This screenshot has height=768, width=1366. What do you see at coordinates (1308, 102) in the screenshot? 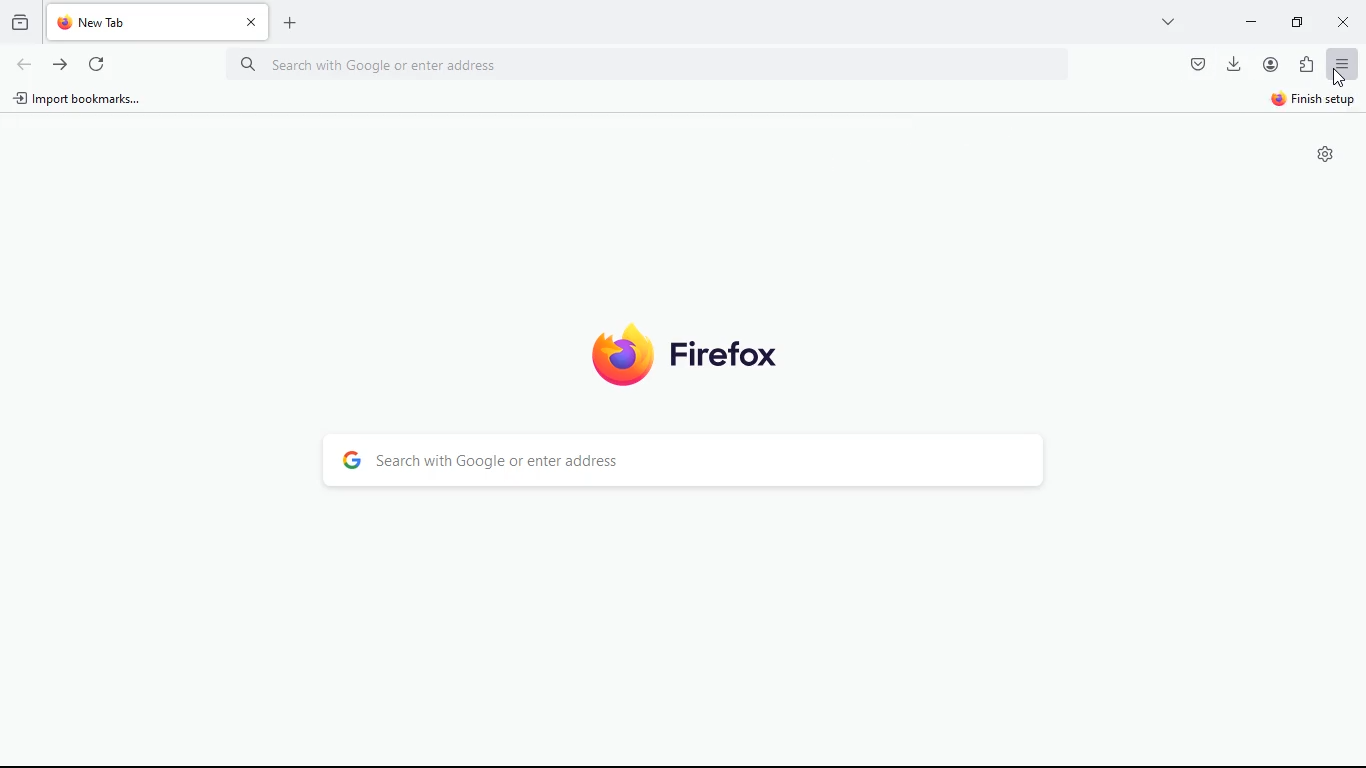
I see `finish setup` at bounding box center [1308, 102].